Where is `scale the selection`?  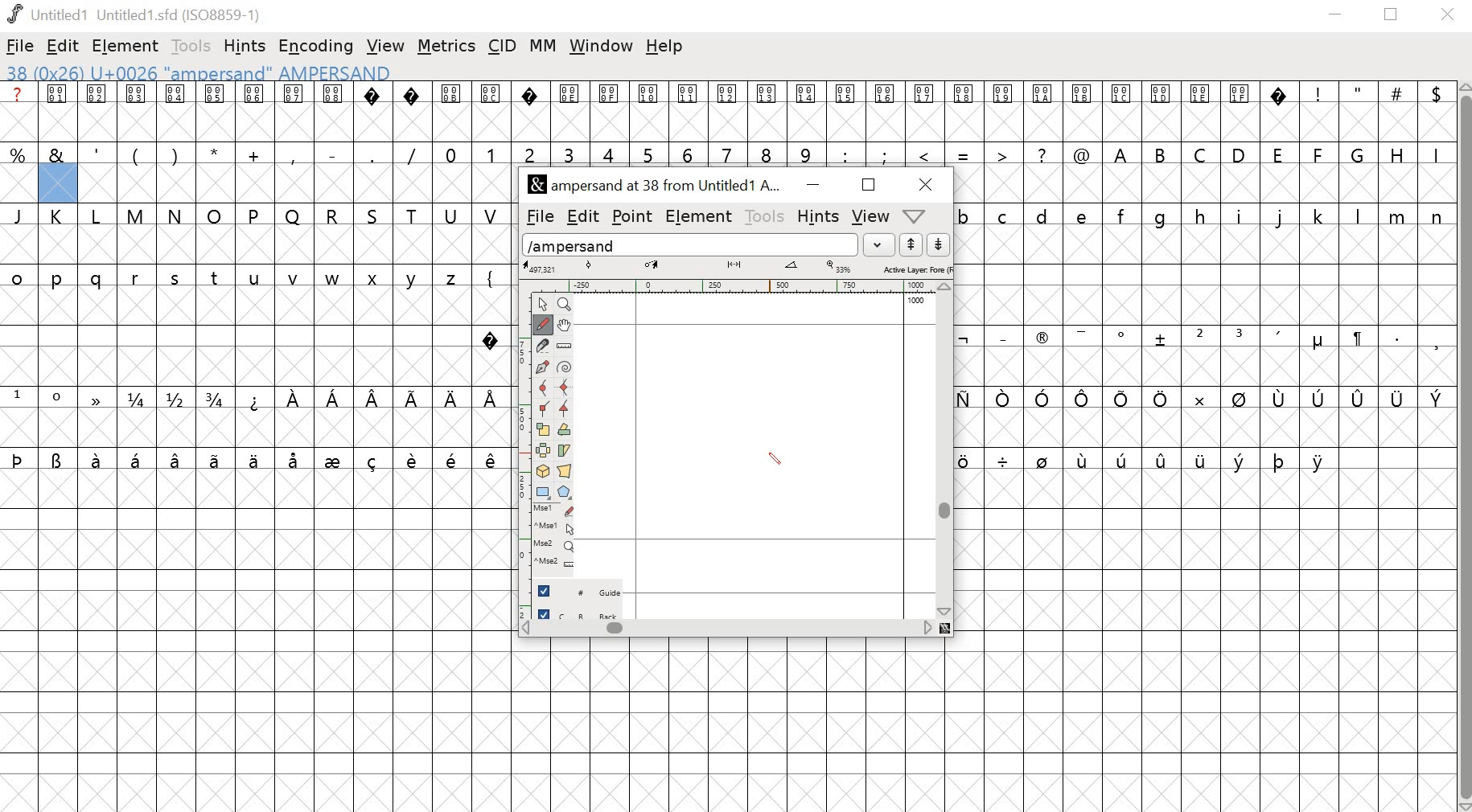
scale the selection is located at coordinates (543, 430).